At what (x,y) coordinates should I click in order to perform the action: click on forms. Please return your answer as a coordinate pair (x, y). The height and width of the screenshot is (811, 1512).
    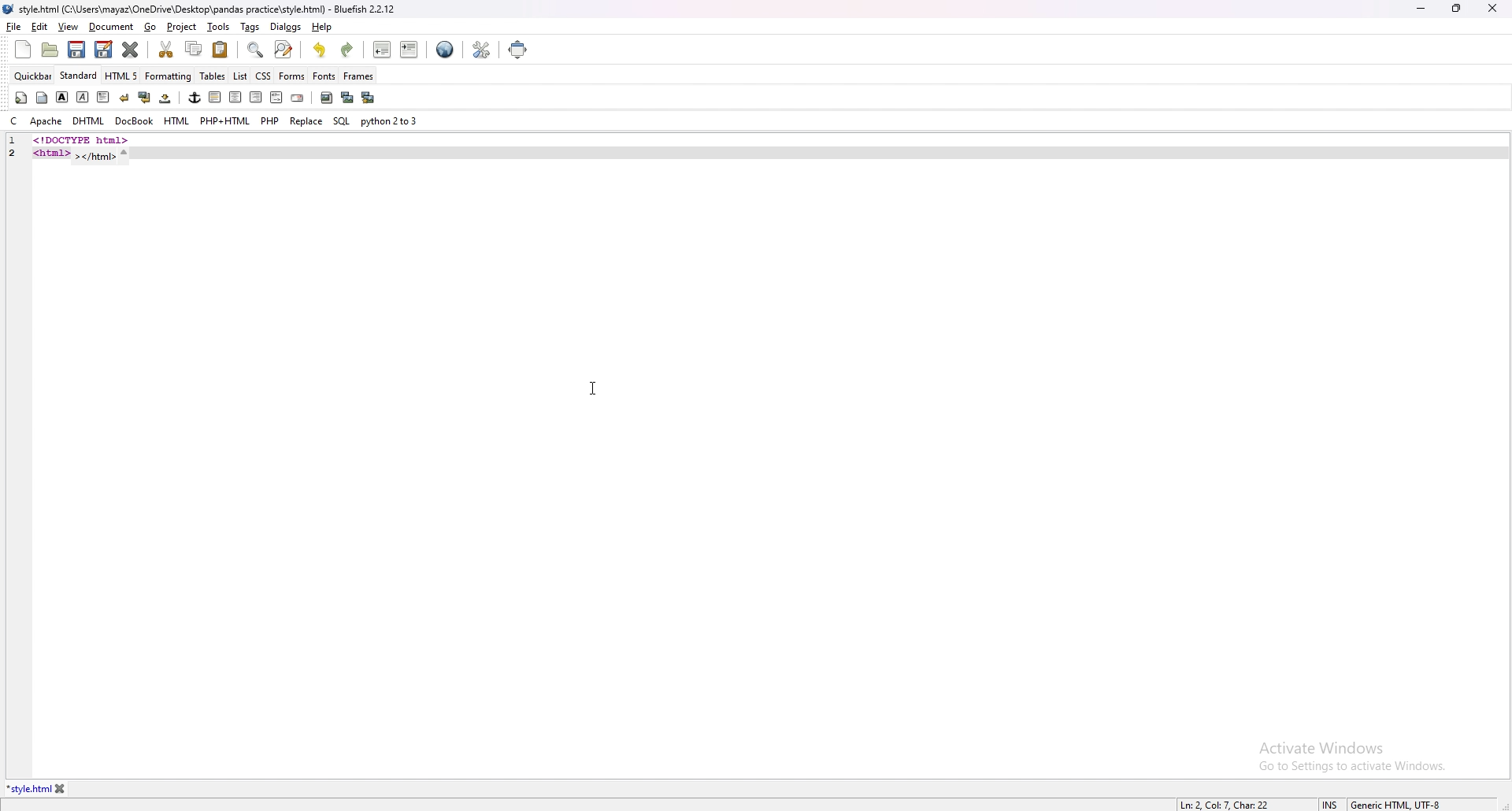
    Looking at the image, I should click on (292, 75).